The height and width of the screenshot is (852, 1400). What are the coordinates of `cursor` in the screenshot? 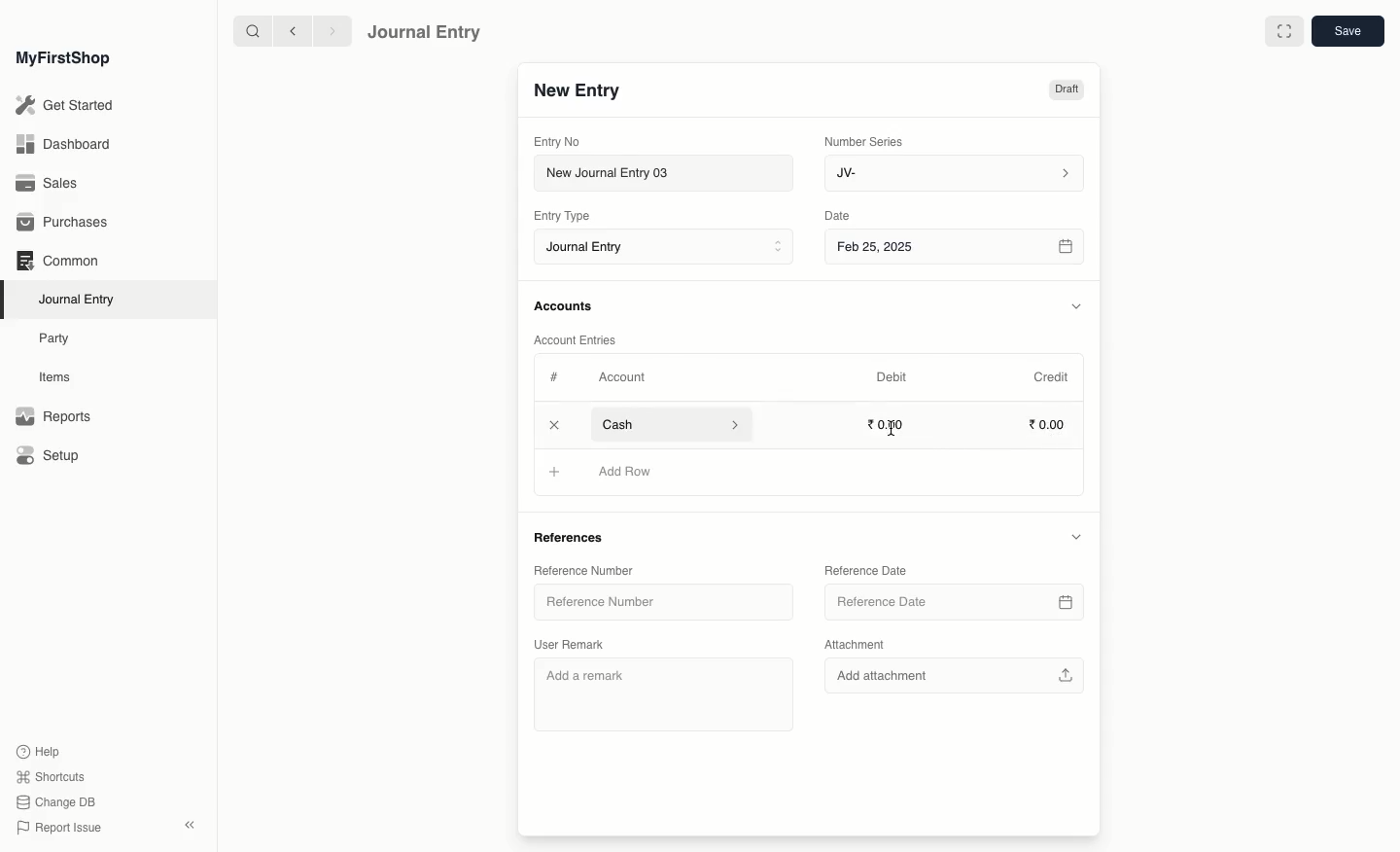 It's located at (892, 428).